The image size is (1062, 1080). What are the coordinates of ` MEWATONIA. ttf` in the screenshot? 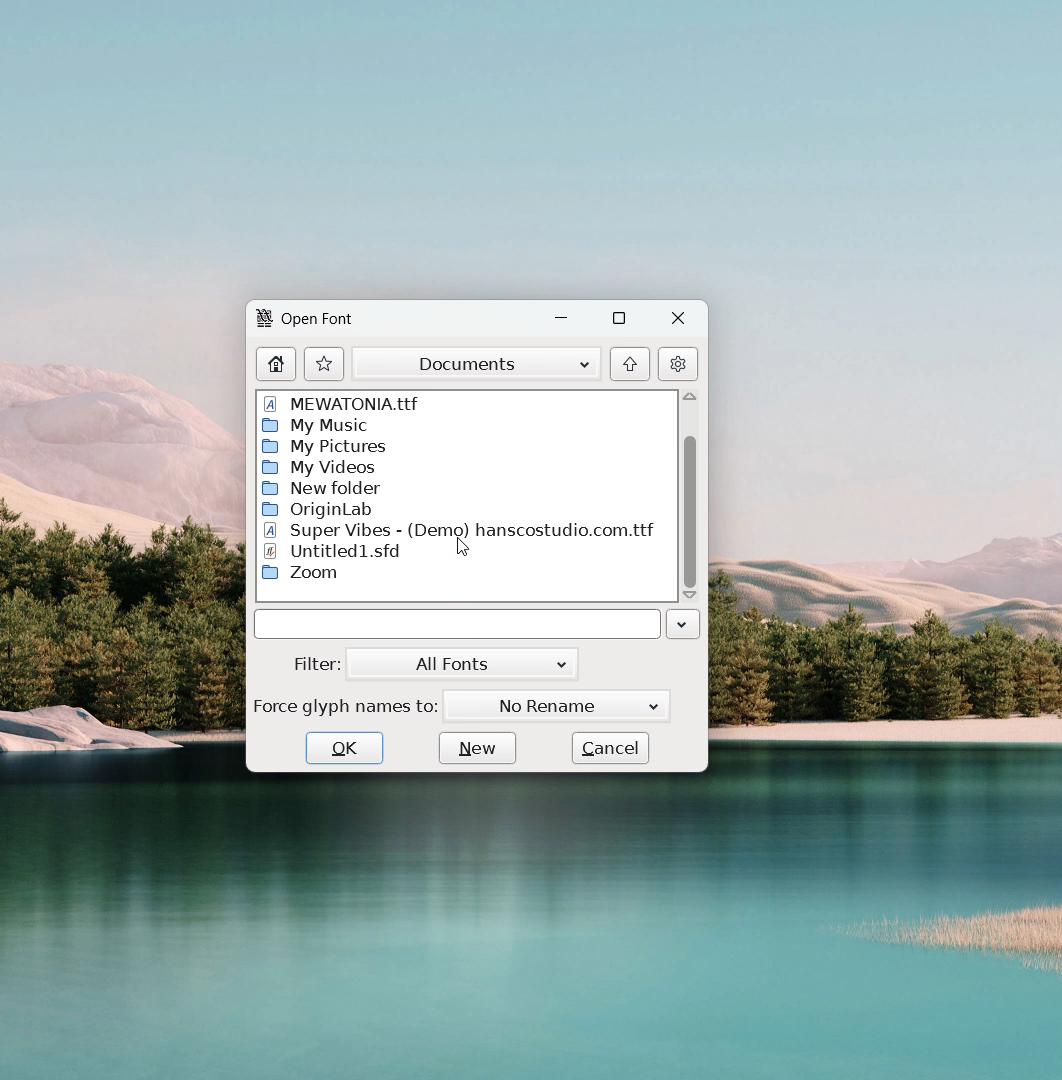 It's located at (347, 400).